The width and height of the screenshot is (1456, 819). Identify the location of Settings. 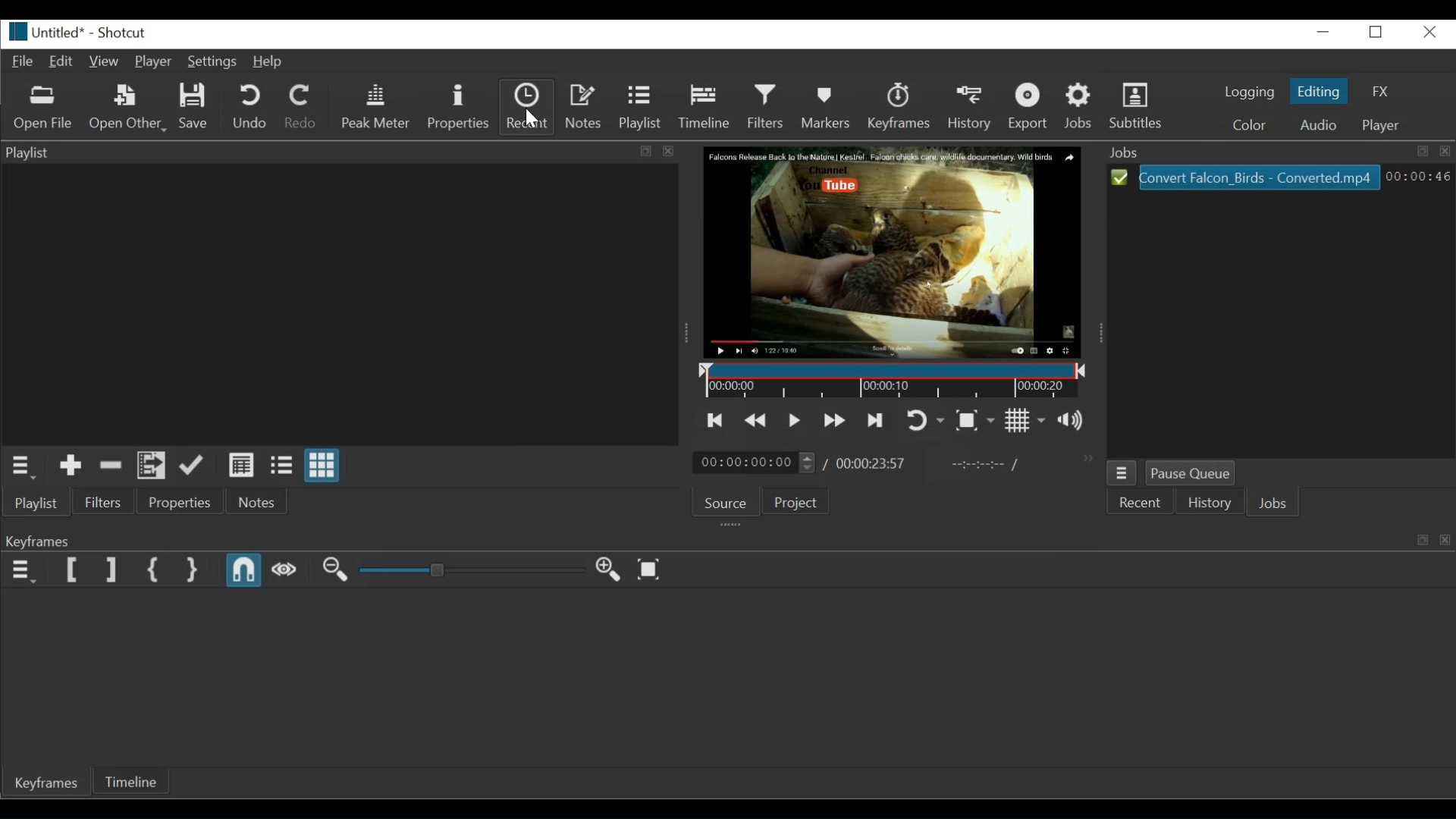
(215, 63).